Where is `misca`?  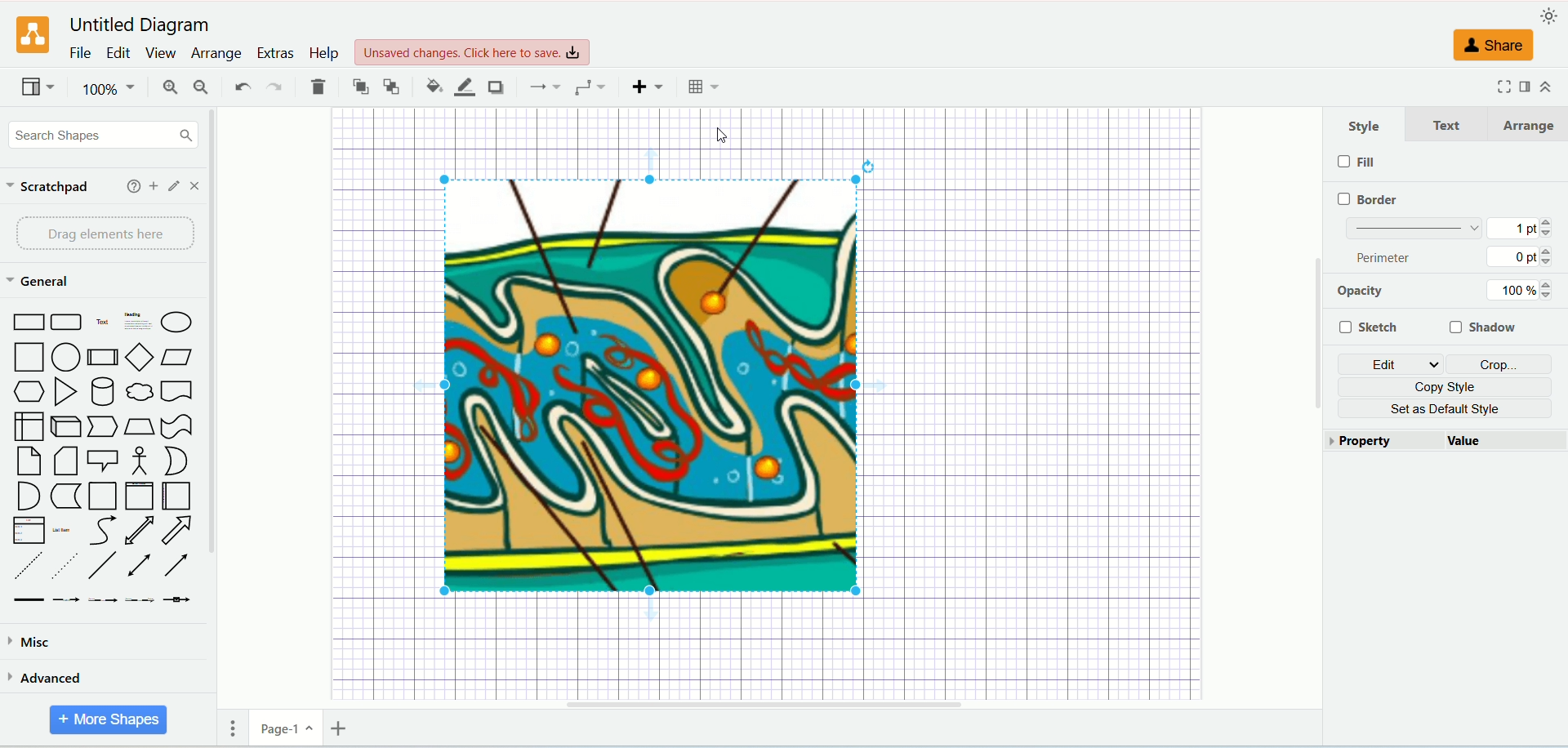
misca is located at coordinates (33, 643).